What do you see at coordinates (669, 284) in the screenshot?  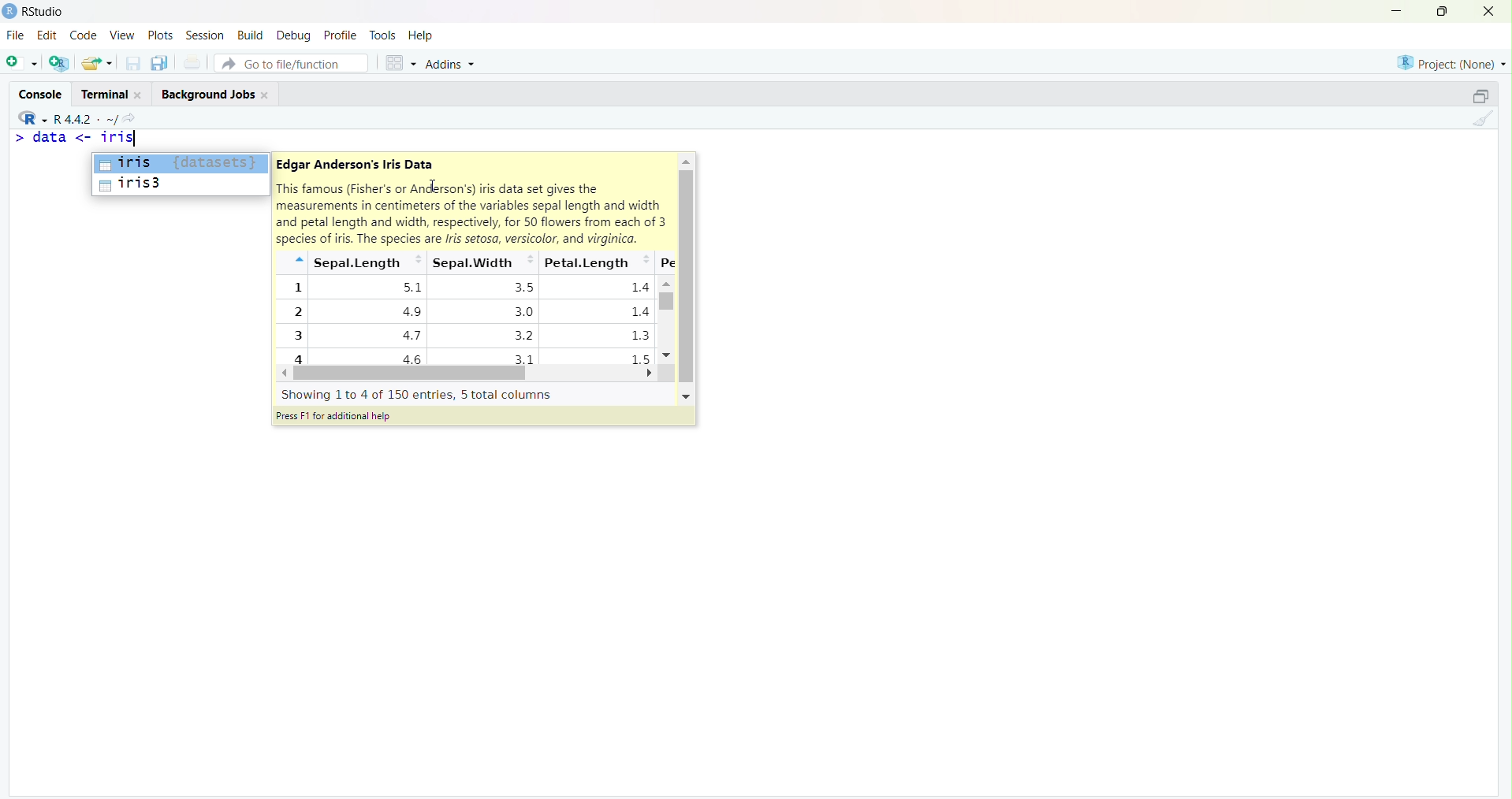 I see `Up` at bounding box center [669, 284].